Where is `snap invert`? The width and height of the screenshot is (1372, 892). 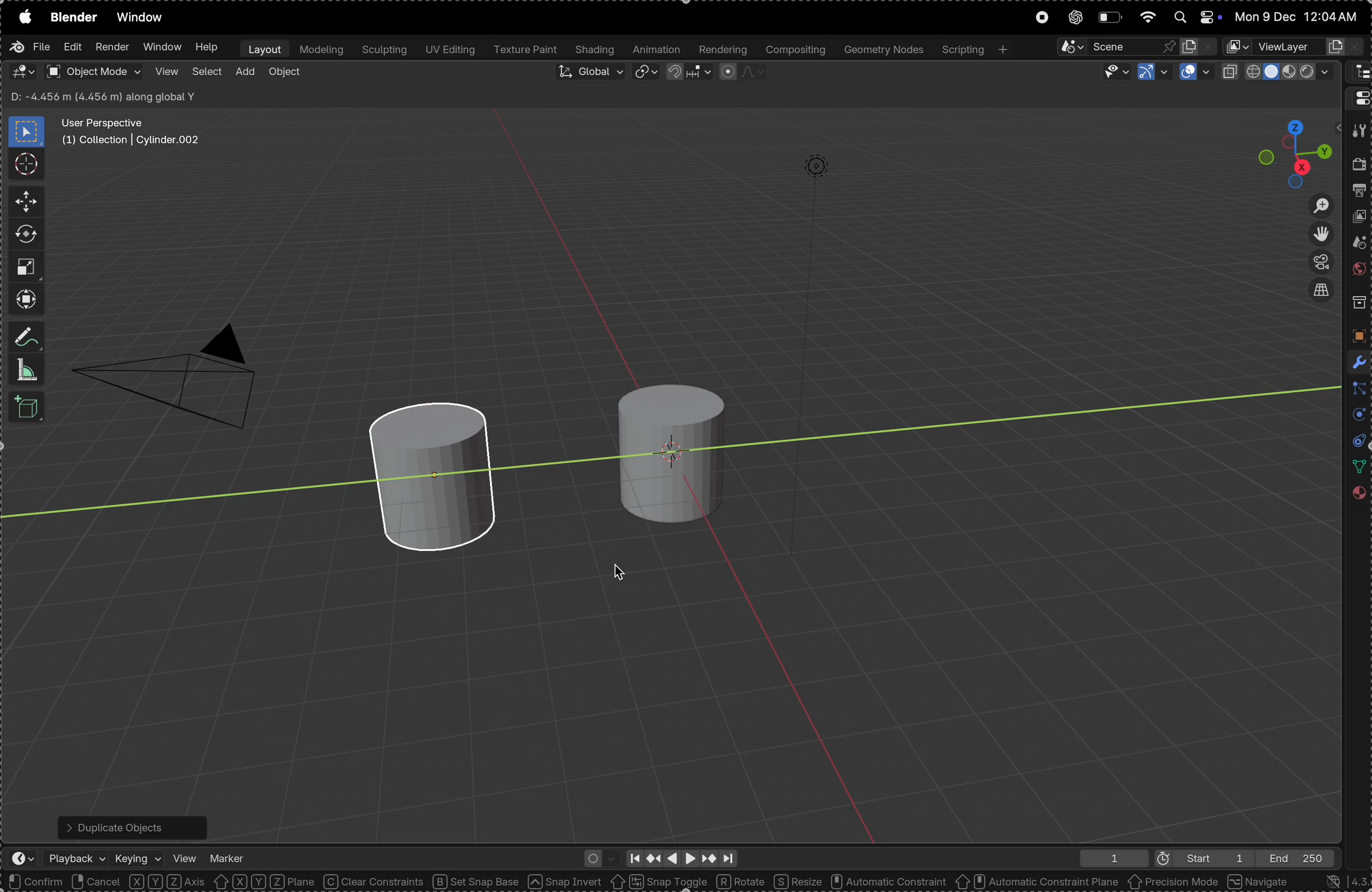
snap invert is located at coordinates (566, 882).